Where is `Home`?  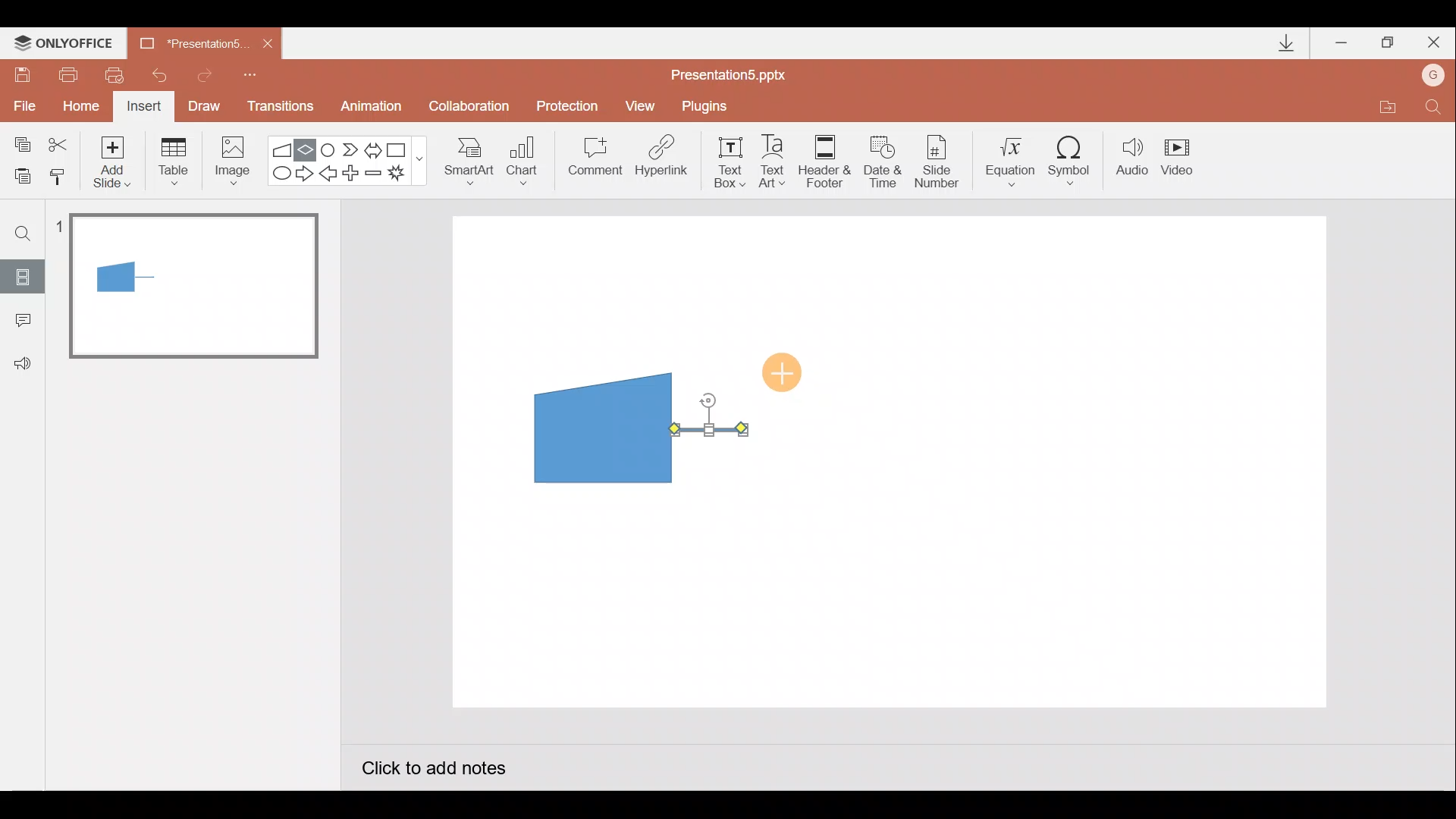
Home is located at coordinates (77, 102).